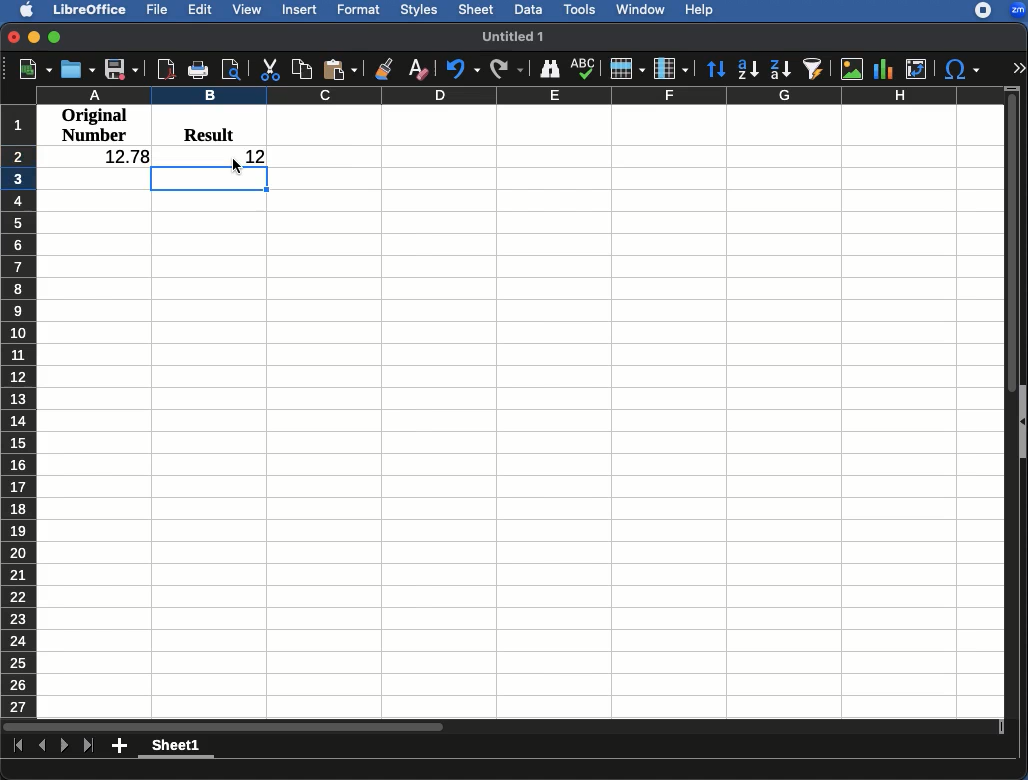  Describe the element at coordinates (421, 9) in the screenshot. I see `Styles` at that location.